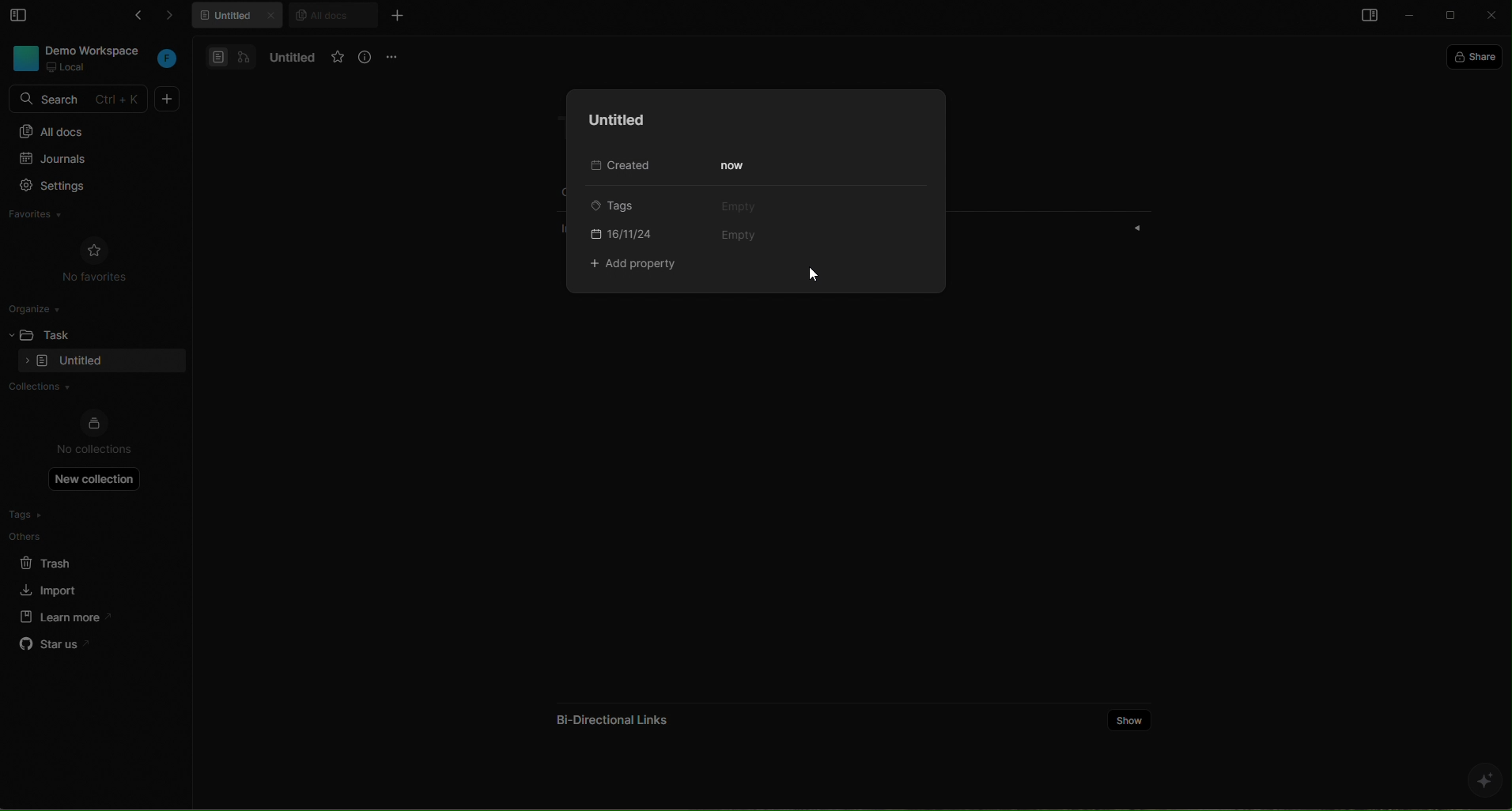 This screenshot has width=1512, height=811. Describe the element at coordinates (637, 266) in the screenshot. I see `add property` at that location.